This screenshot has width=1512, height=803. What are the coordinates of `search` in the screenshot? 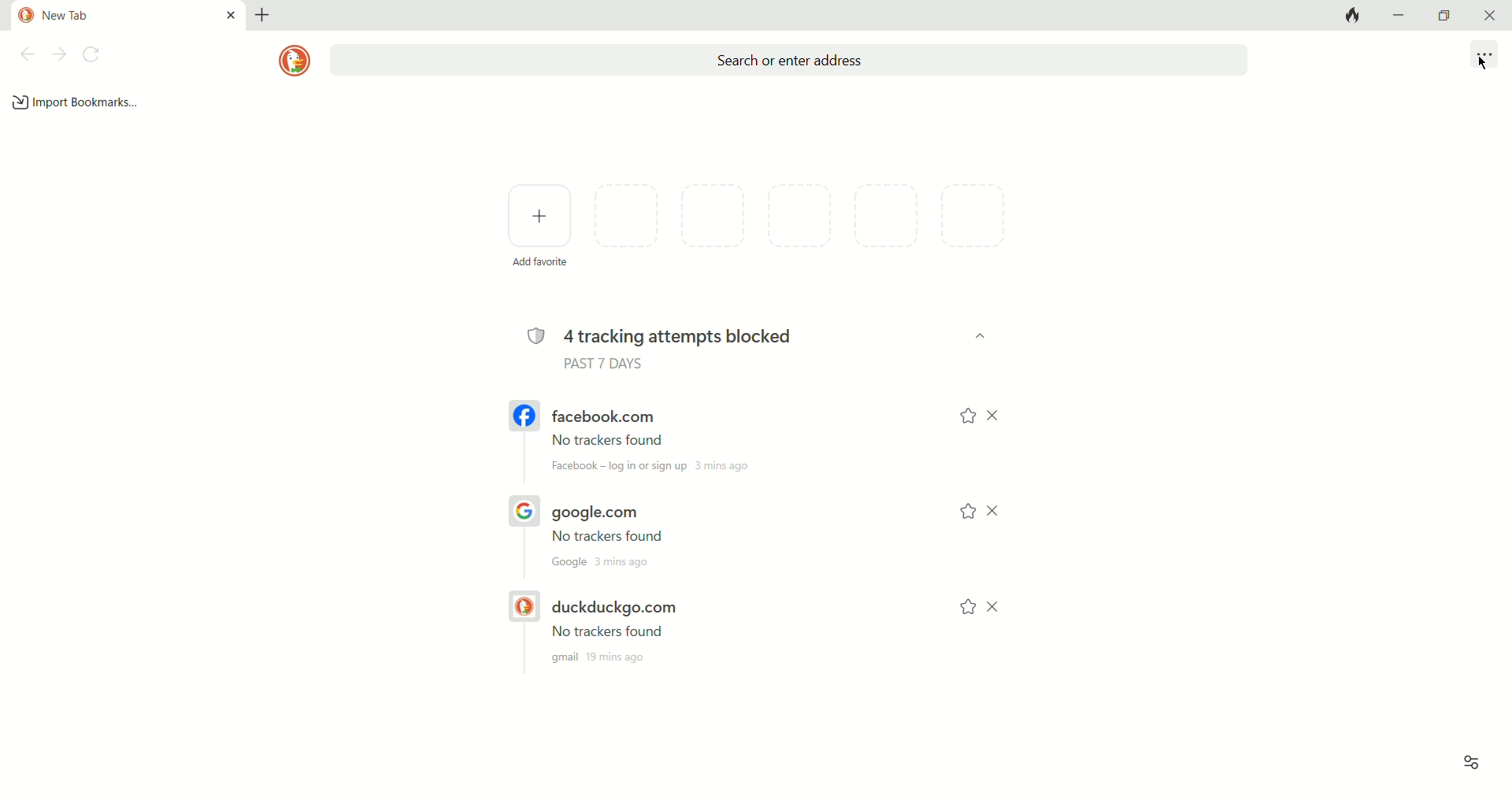 It's located at (786, 59).